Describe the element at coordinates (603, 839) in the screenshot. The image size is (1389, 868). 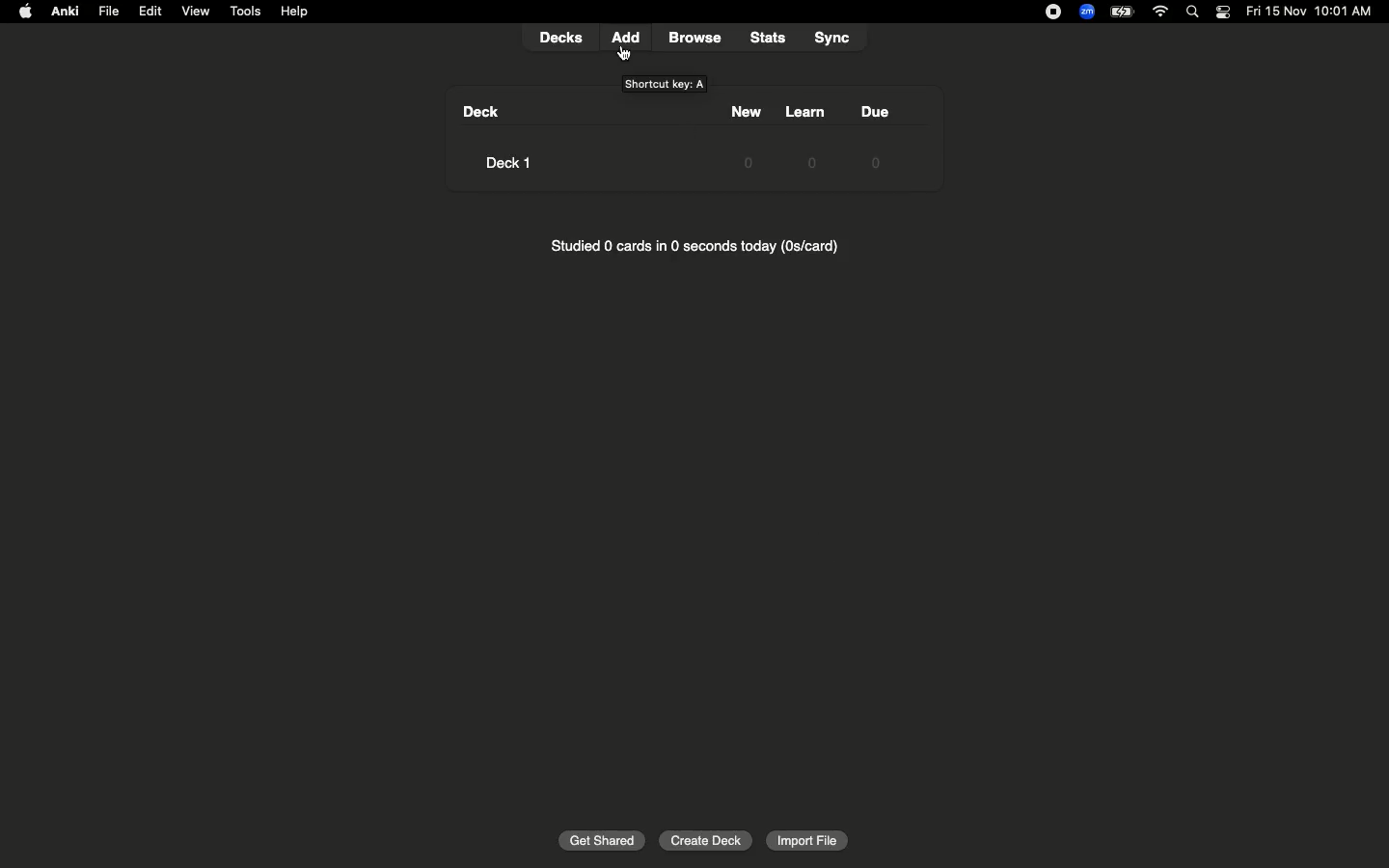
I see `Get shared` at that location.